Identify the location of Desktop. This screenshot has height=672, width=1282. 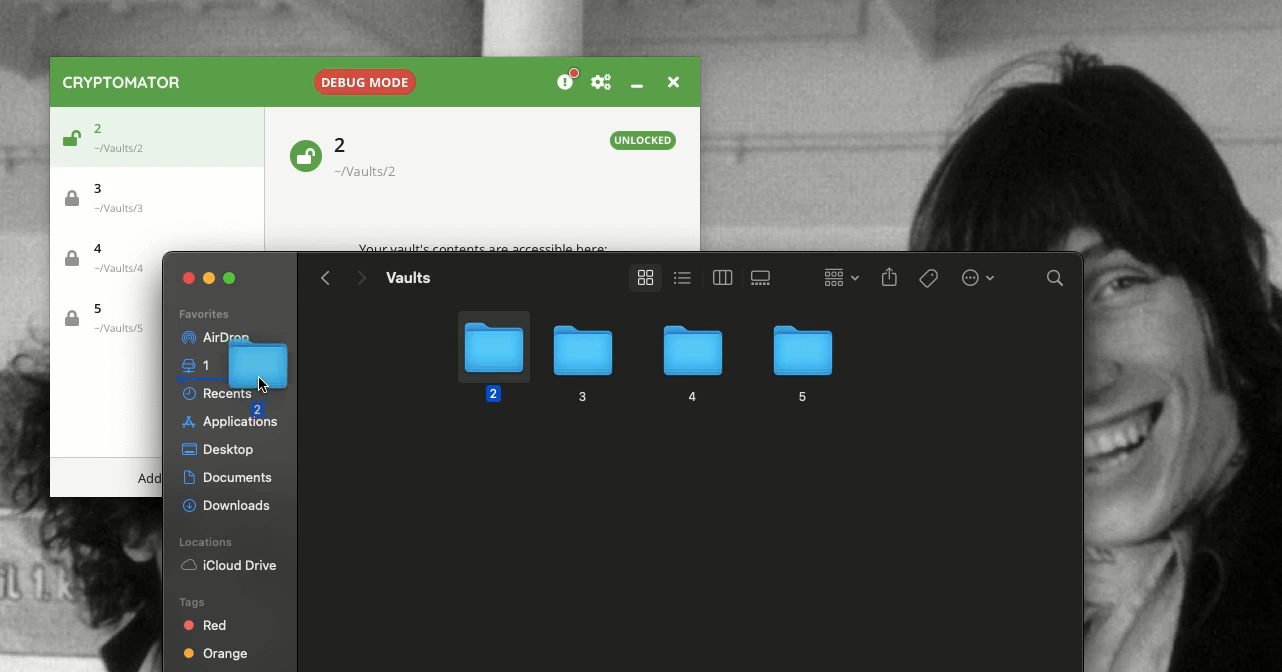
(218, 451).